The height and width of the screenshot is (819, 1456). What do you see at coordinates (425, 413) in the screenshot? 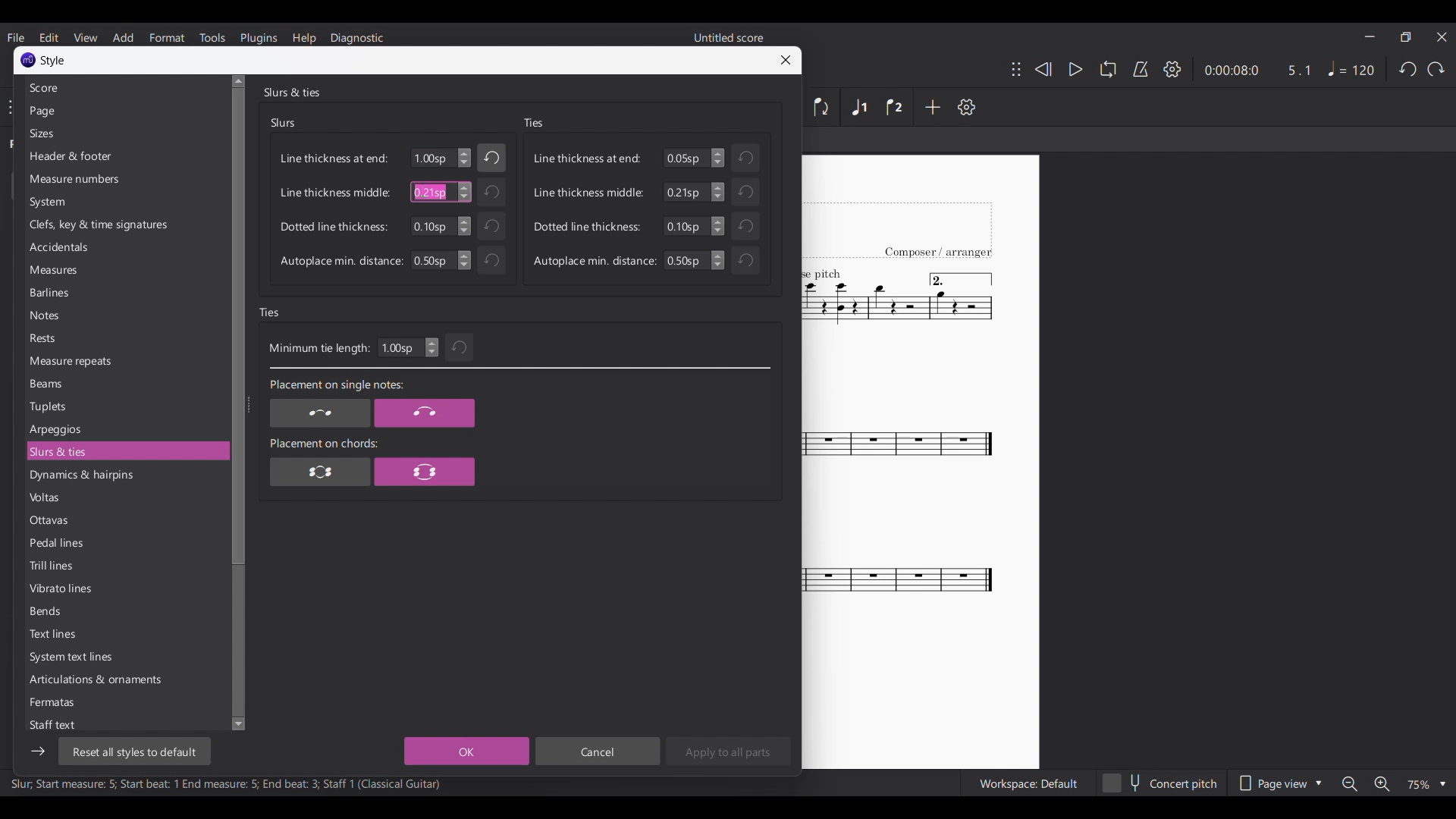
I see `Placement on single note option 2` at bounding box center [425, 413].